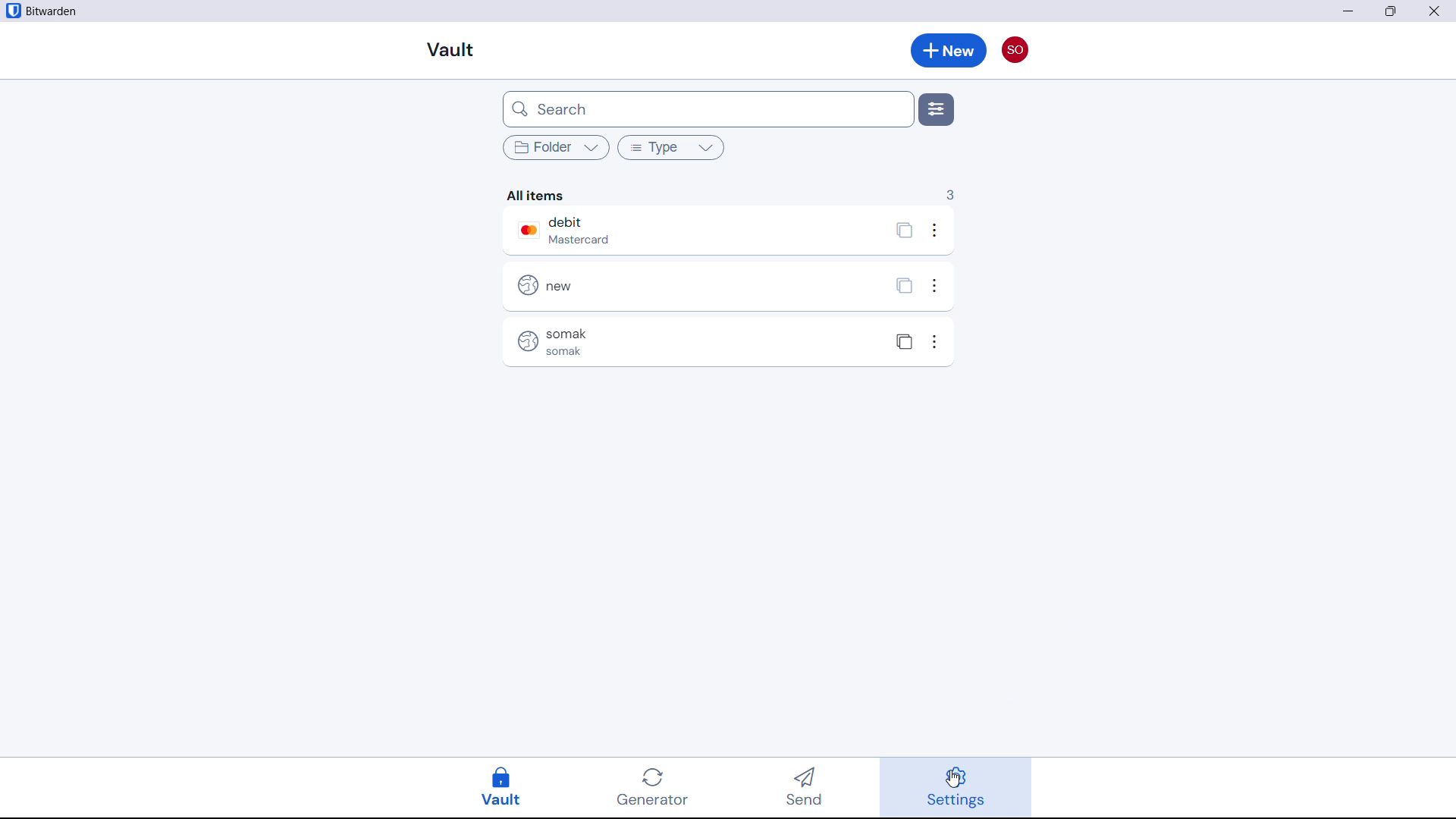  I want to click on debit mastercard, so click(643, 231).